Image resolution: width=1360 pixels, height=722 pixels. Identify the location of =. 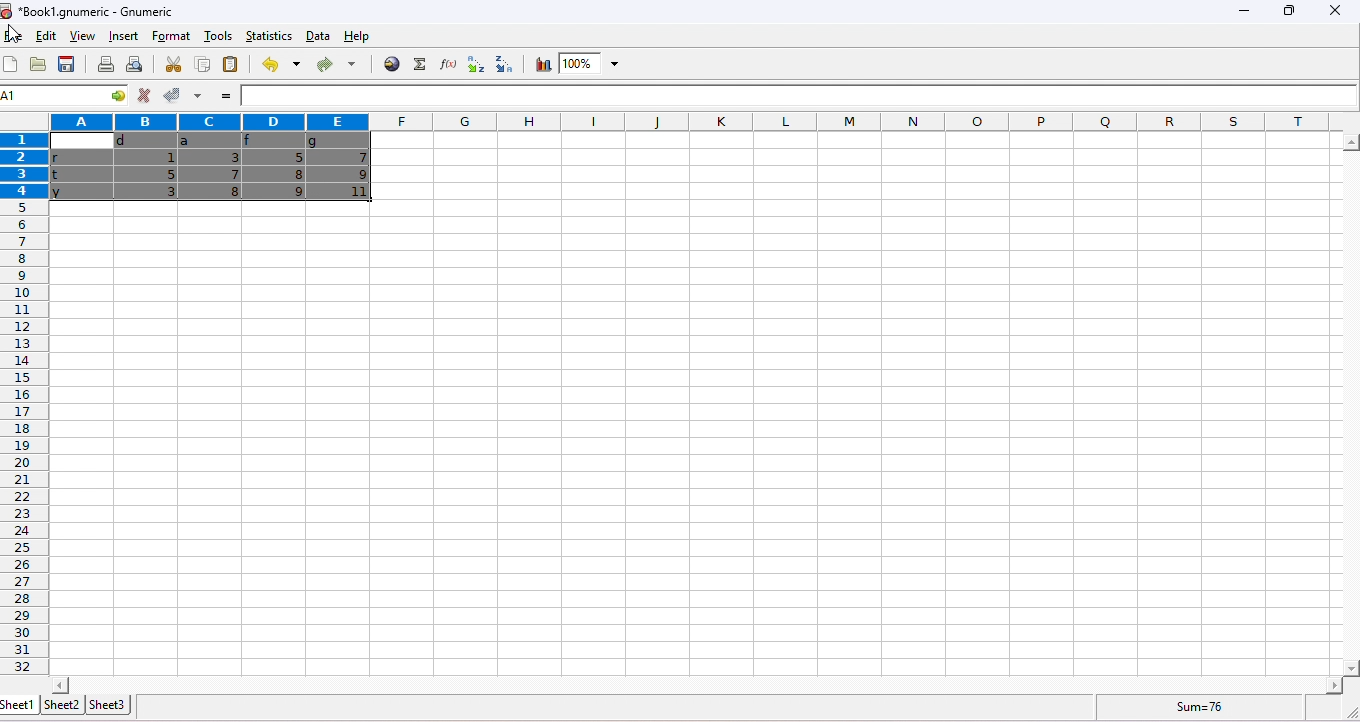
(224, 97).